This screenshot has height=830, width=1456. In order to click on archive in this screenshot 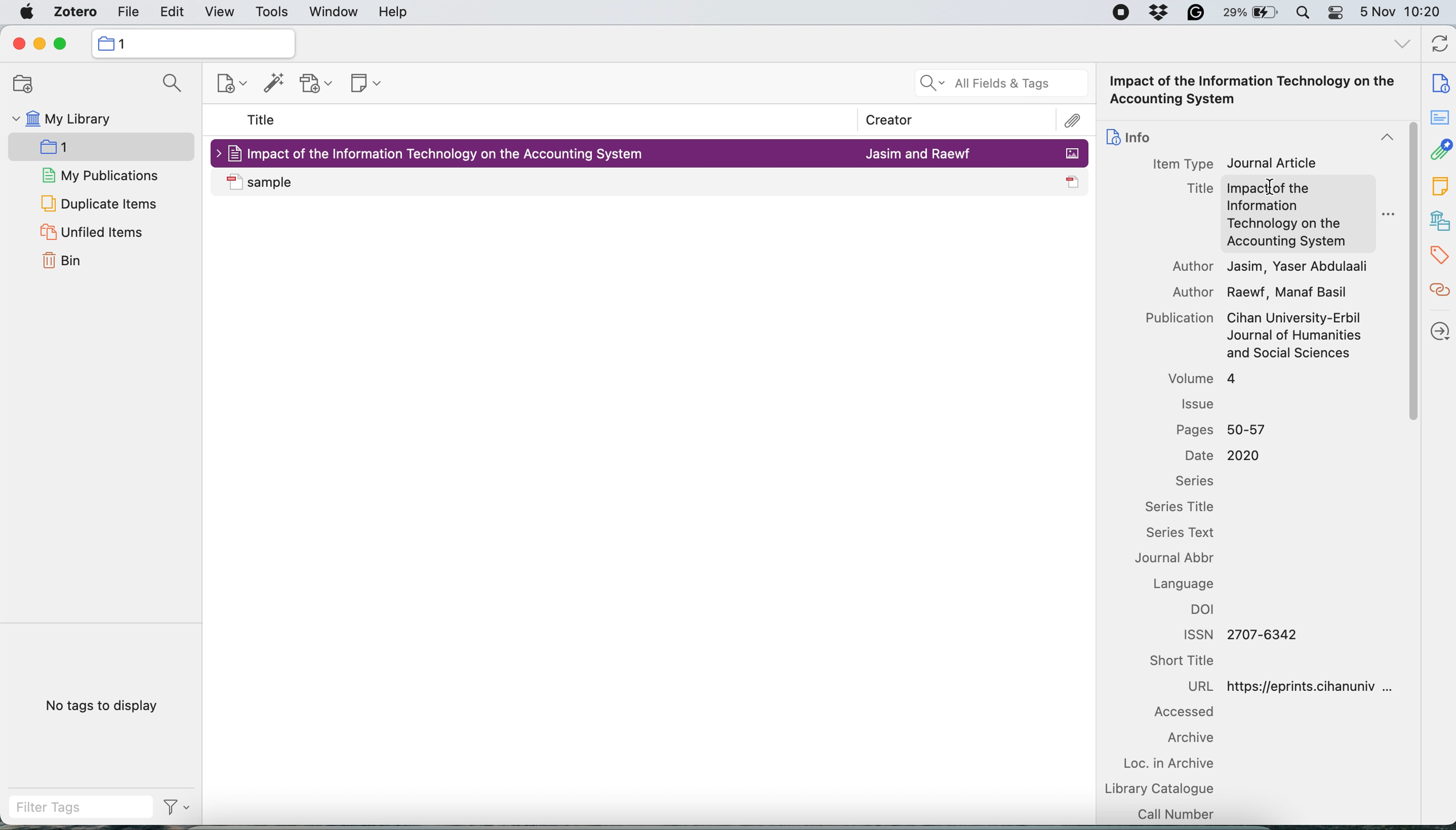, I will do `click(1190, 738)`.